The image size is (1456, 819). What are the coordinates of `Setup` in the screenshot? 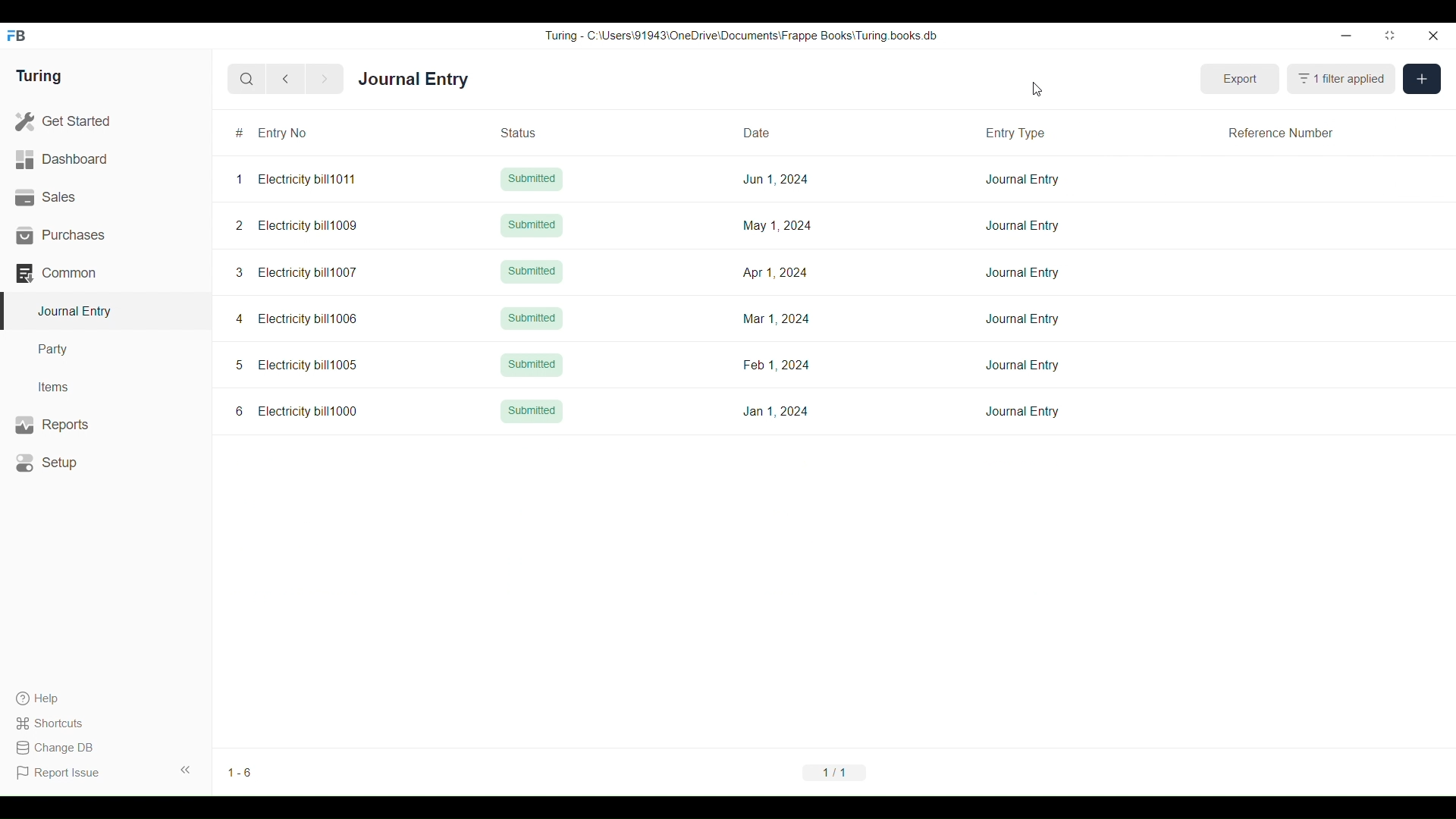 It's located at (106, 463).